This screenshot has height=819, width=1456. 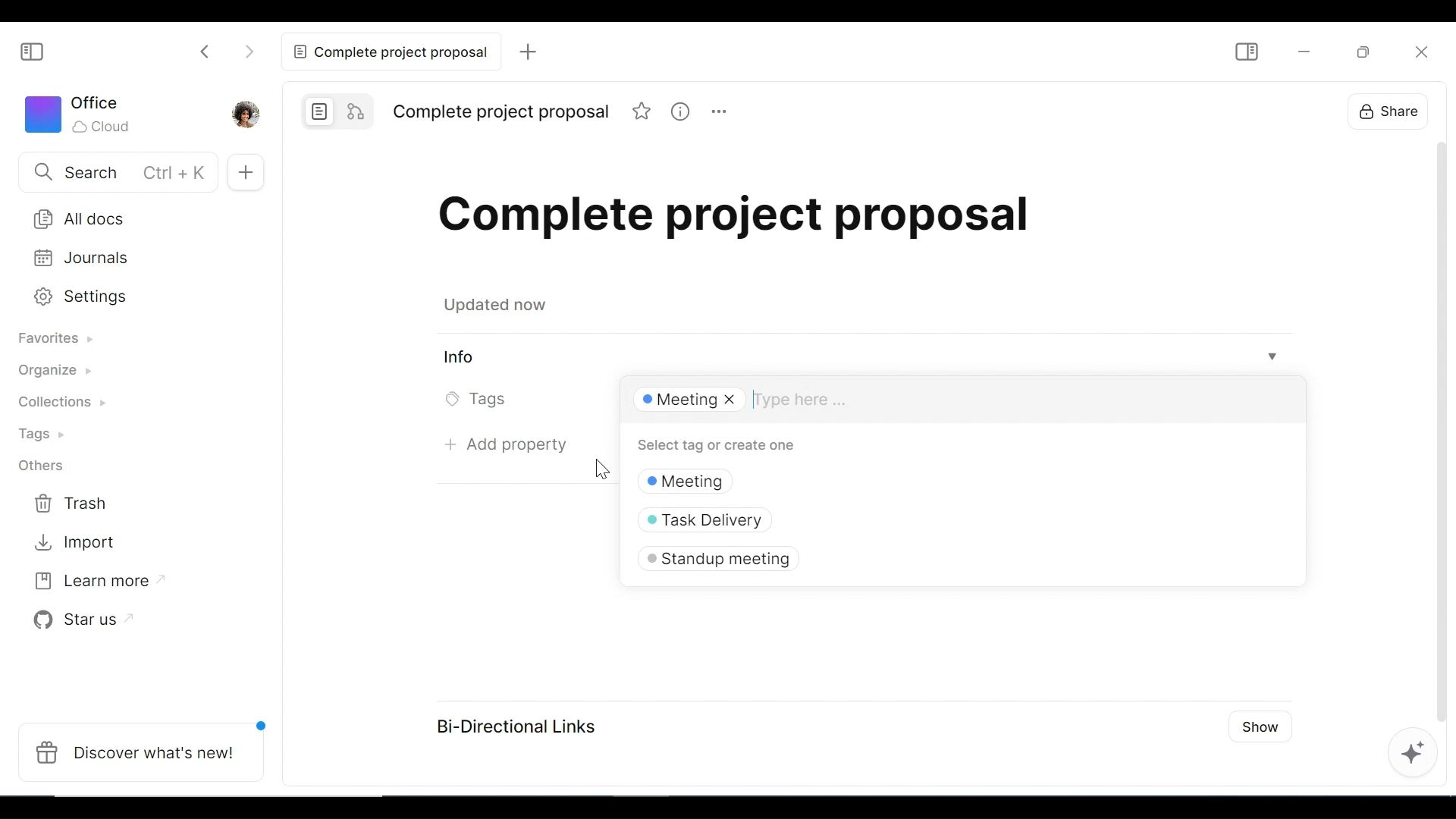 I want to click on updated now, so click(x=499, y=305).